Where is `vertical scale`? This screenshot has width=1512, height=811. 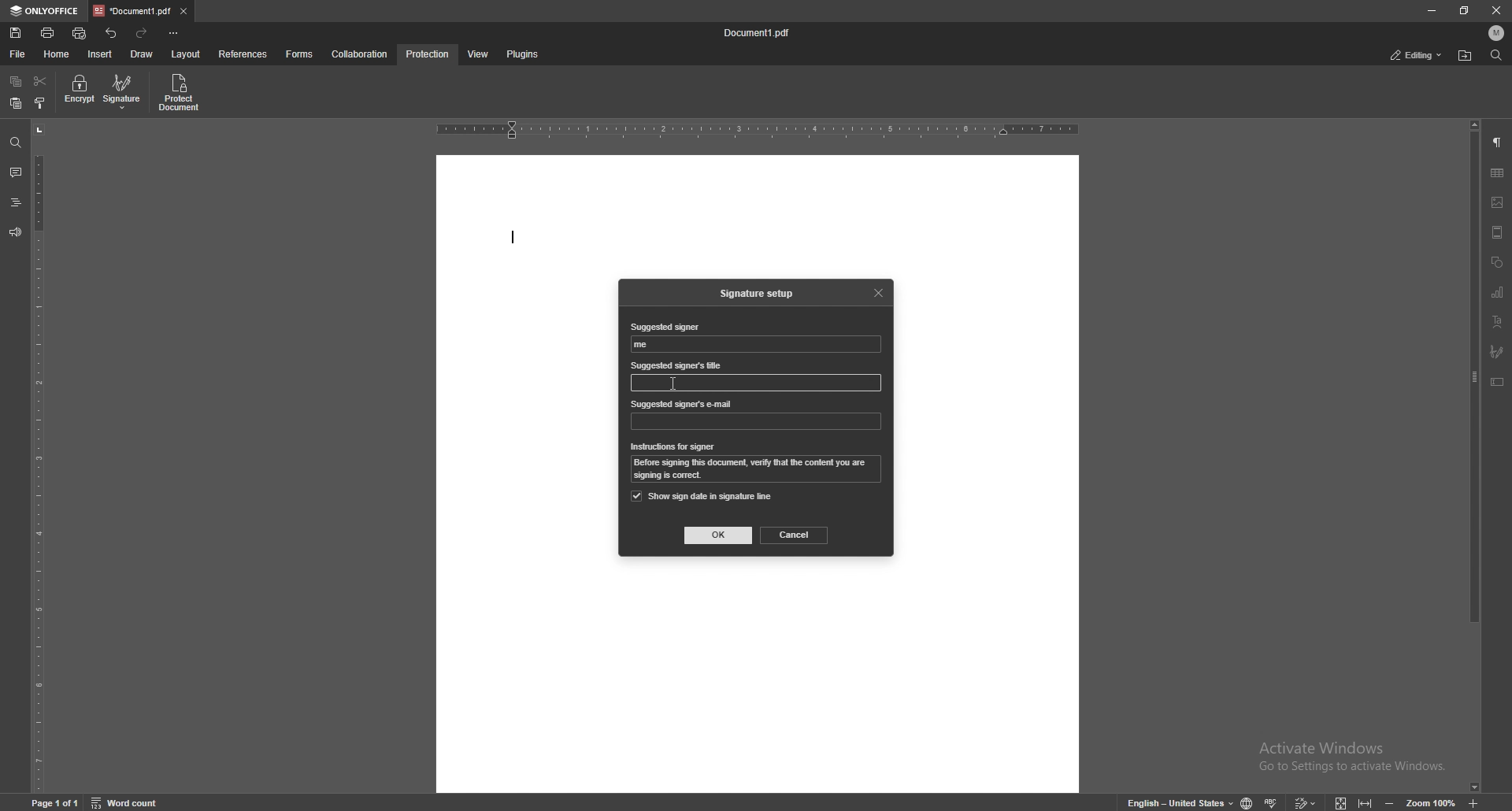 vertical scale is located at coordinates (39, 457).